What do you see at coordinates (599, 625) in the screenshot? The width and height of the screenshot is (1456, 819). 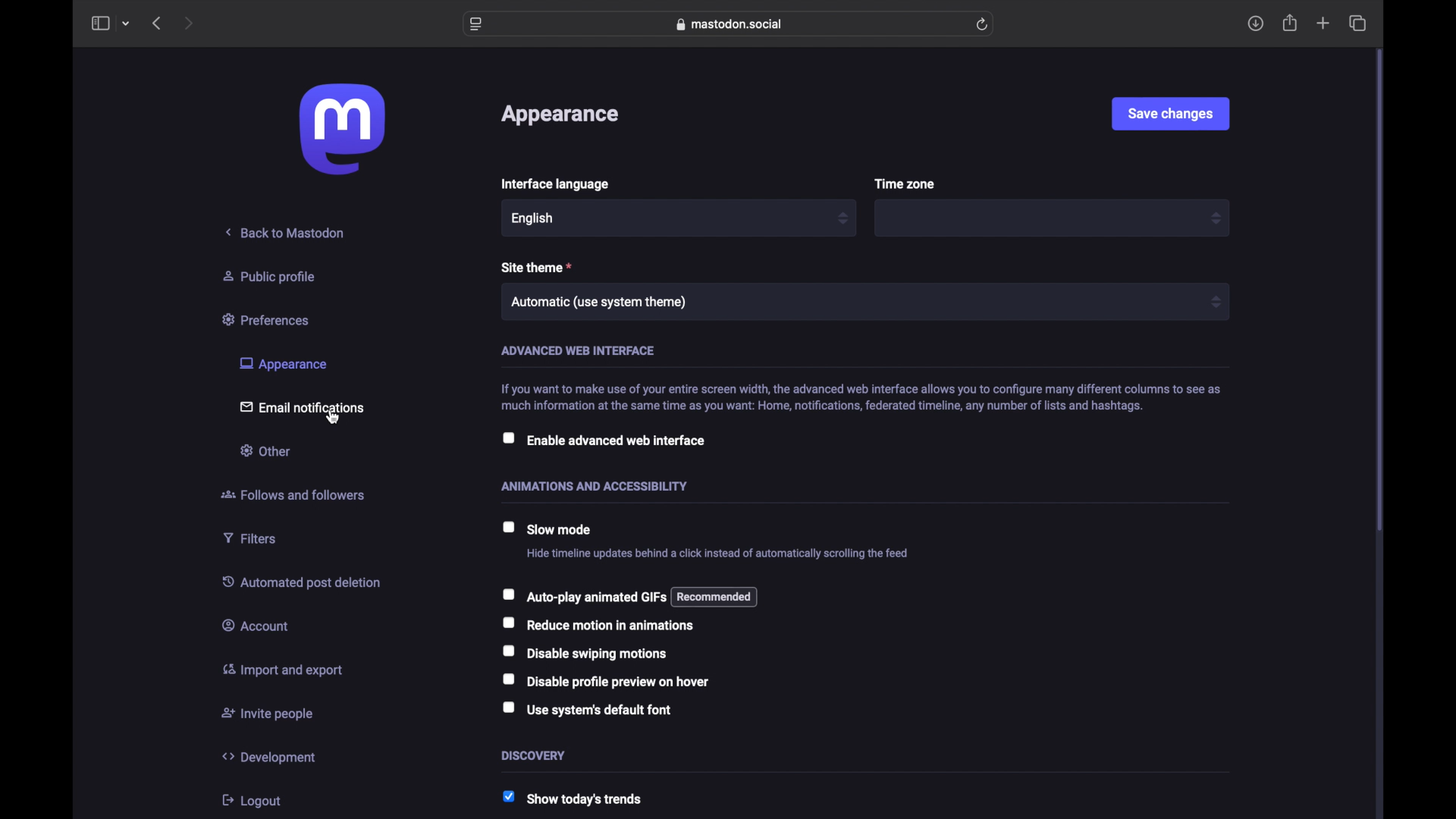 I see `reduce motioning animations` at bounding box center [599, 625].